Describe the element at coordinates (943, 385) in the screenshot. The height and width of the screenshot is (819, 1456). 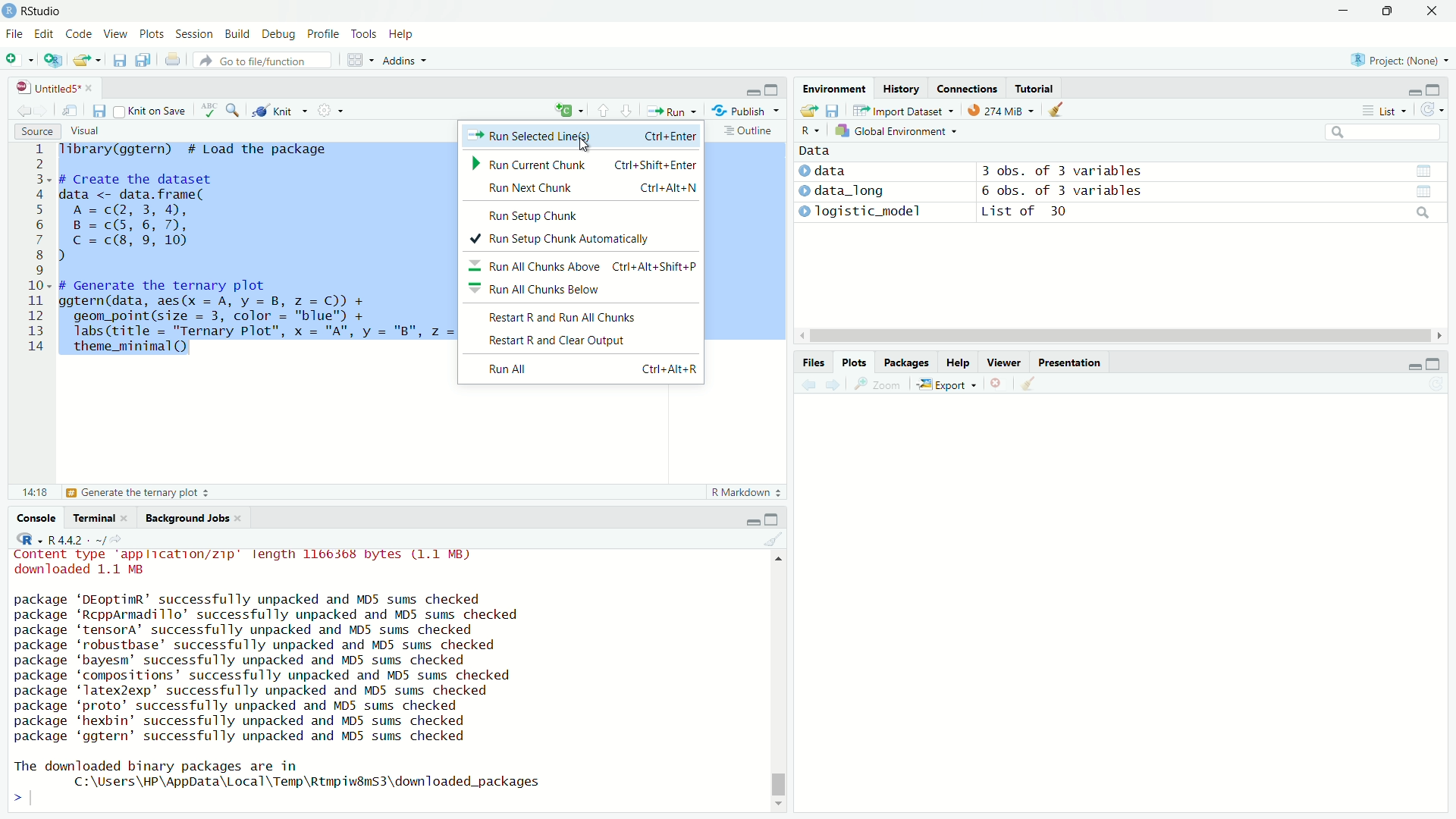
I see `| Export` at that location.